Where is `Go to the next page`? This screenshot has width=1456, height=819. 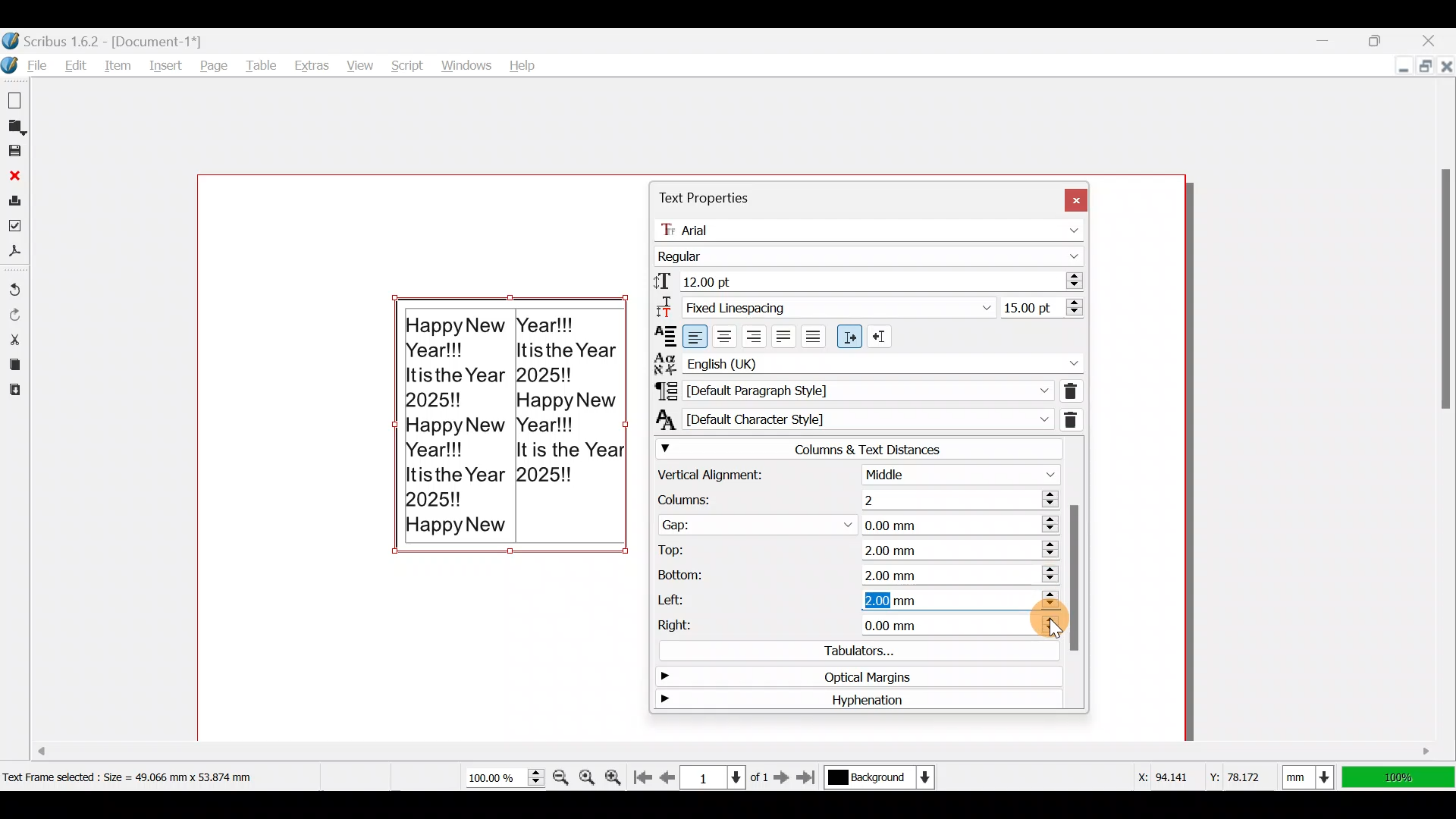 Go to the next page is located at coordinates (783, 777).